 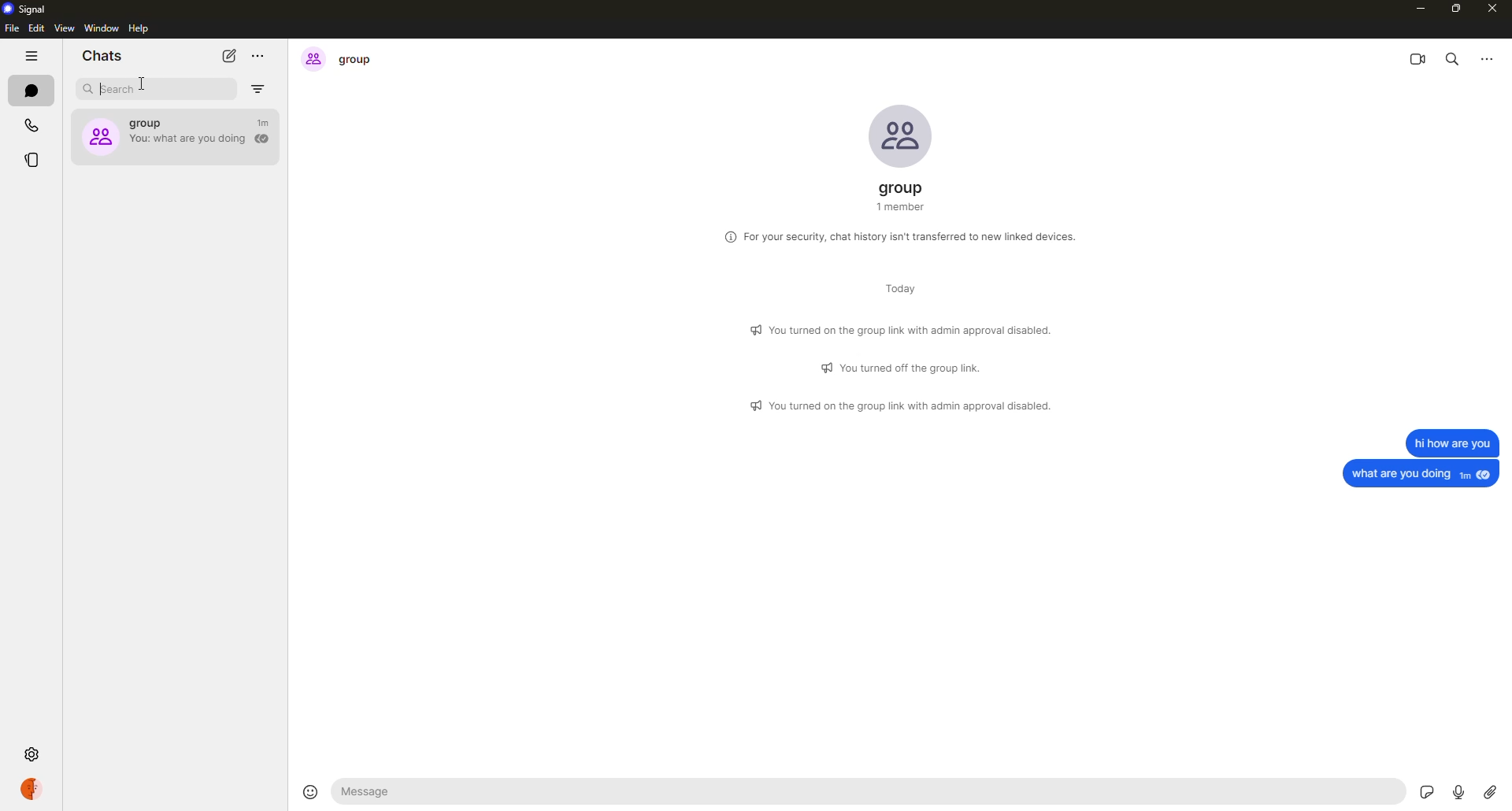 What do you see at coordinates (1451, 442) in the screenshot?
I see `message` at bounding box center [1451, 442].